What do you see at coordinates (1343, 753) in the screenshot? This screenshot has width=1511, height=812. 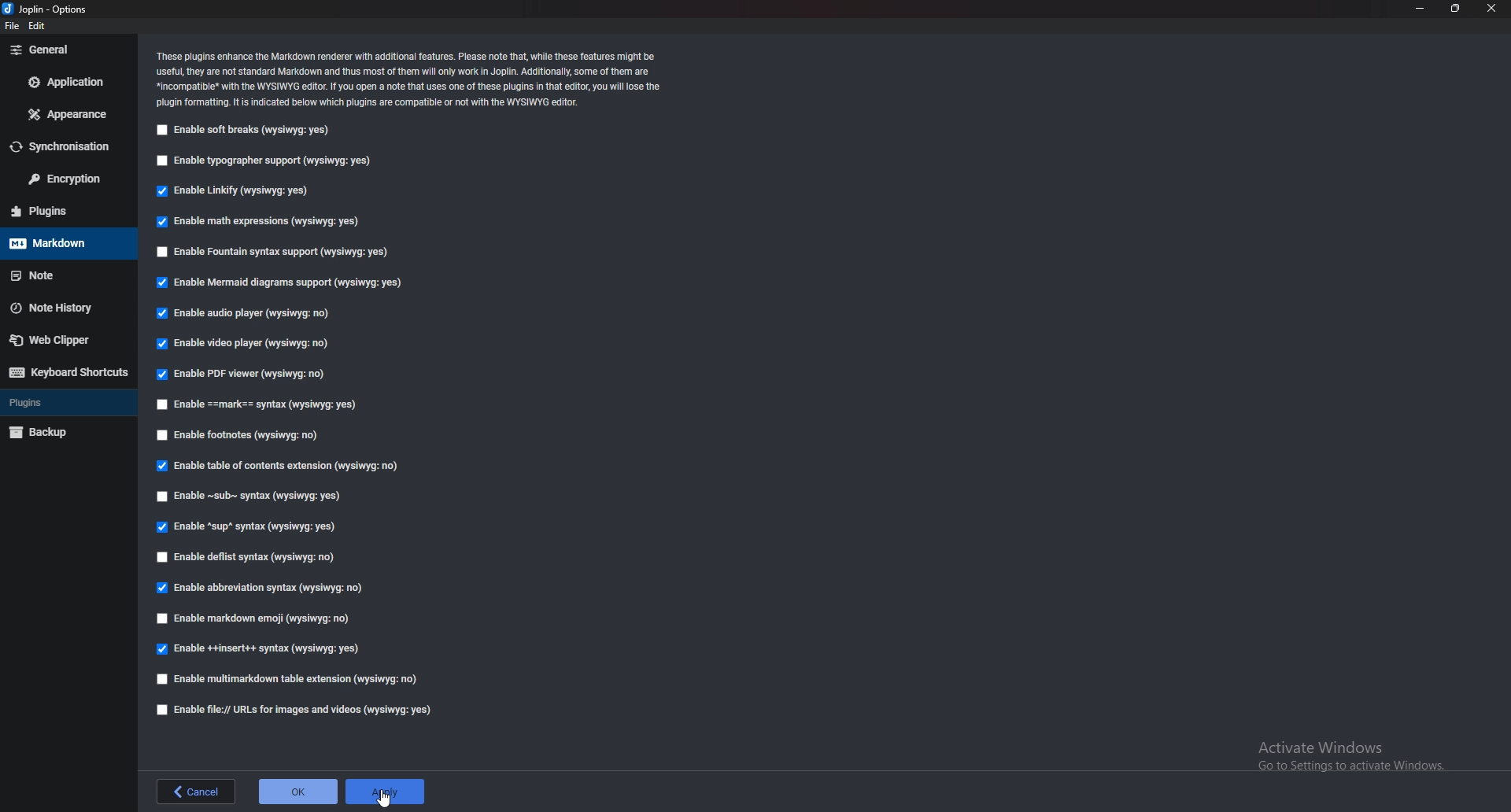 I see `Activate Windows
Go to Settings to activate Windows.` at bounding box center [1343, 753].